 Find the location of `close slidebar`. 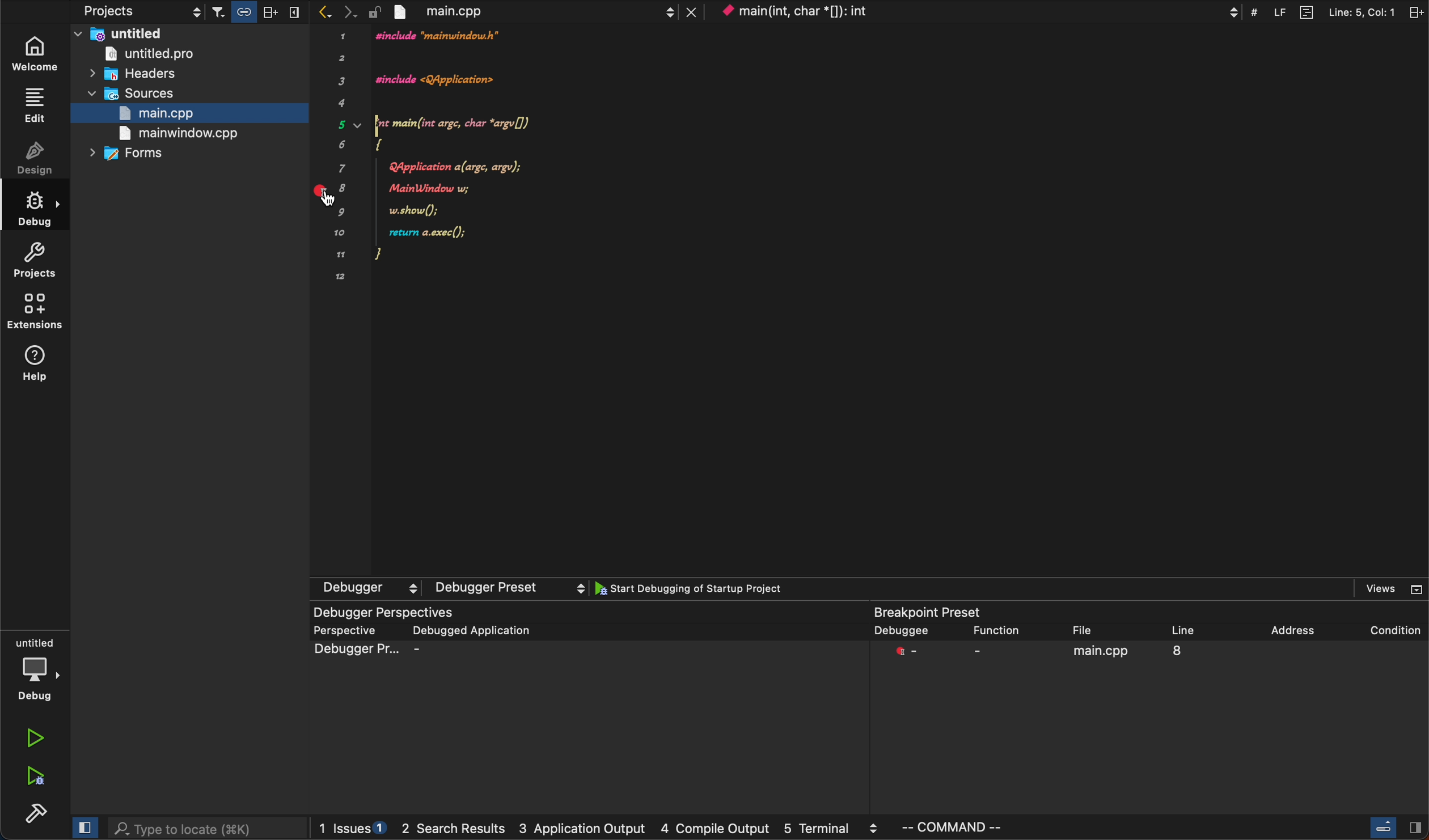

close slidebar is located at coordinates (1397, 826).